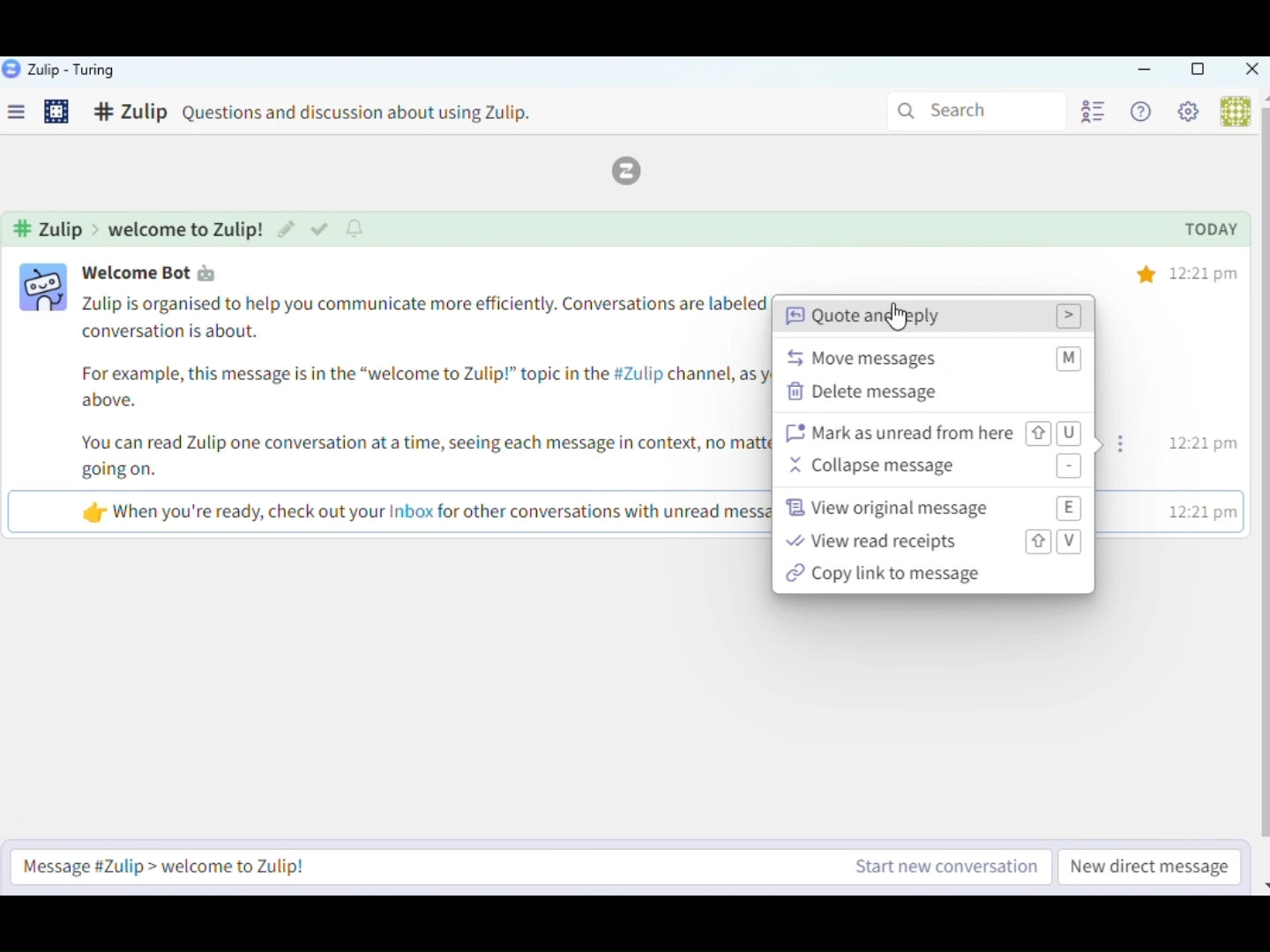 This screenshot has height=952, width=1270. Describe the element at coordinates (1262, 473) in the screenshot. I see `vertical scroll bar` at that location.